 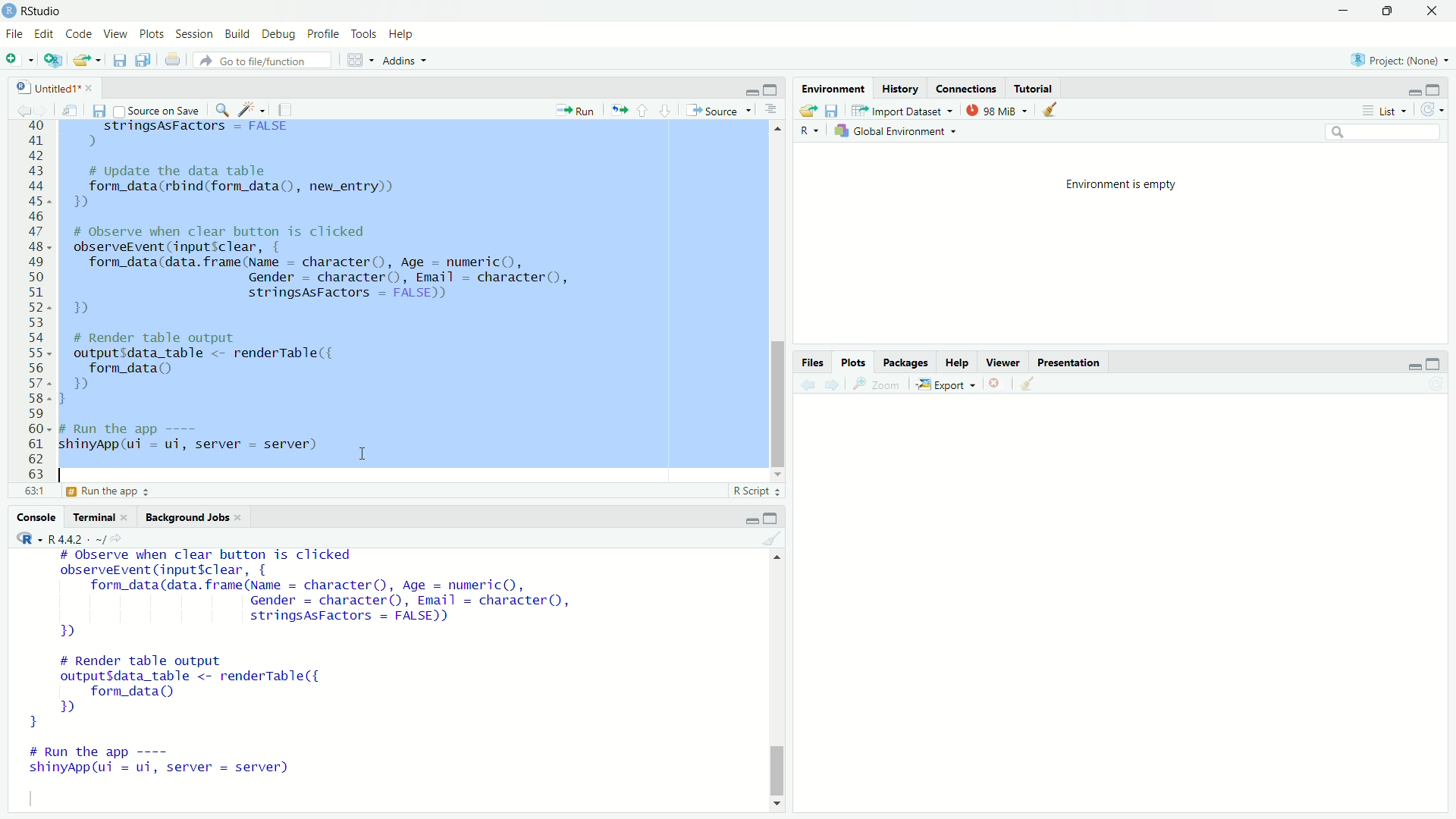 What do you see at coordinates (238, 34) in the screenshot?
I see `Build` at bounding box center [238, 34].